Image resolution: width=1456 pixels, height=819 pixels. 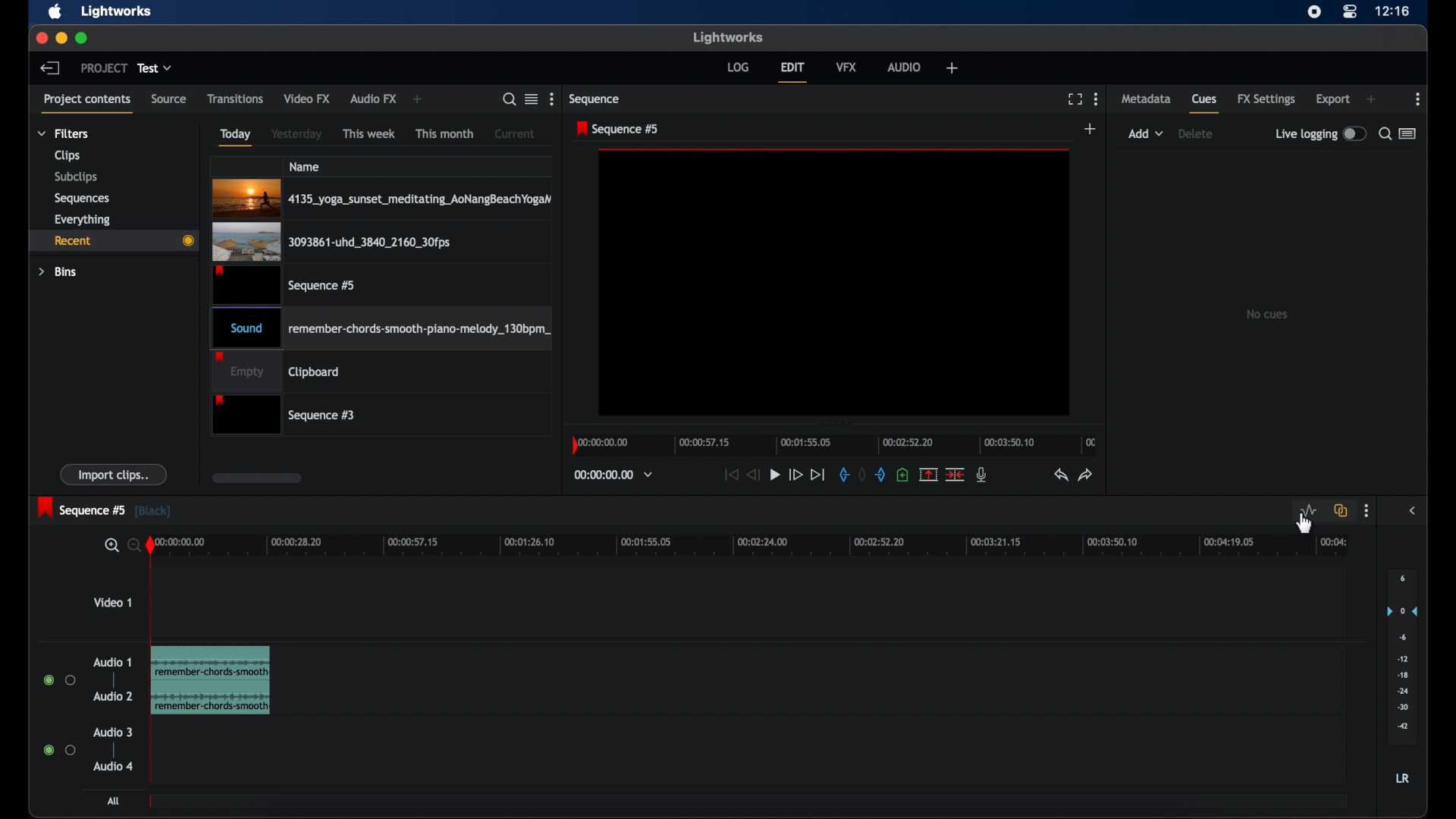 I want to click on bins, so click(x=58, y=271).